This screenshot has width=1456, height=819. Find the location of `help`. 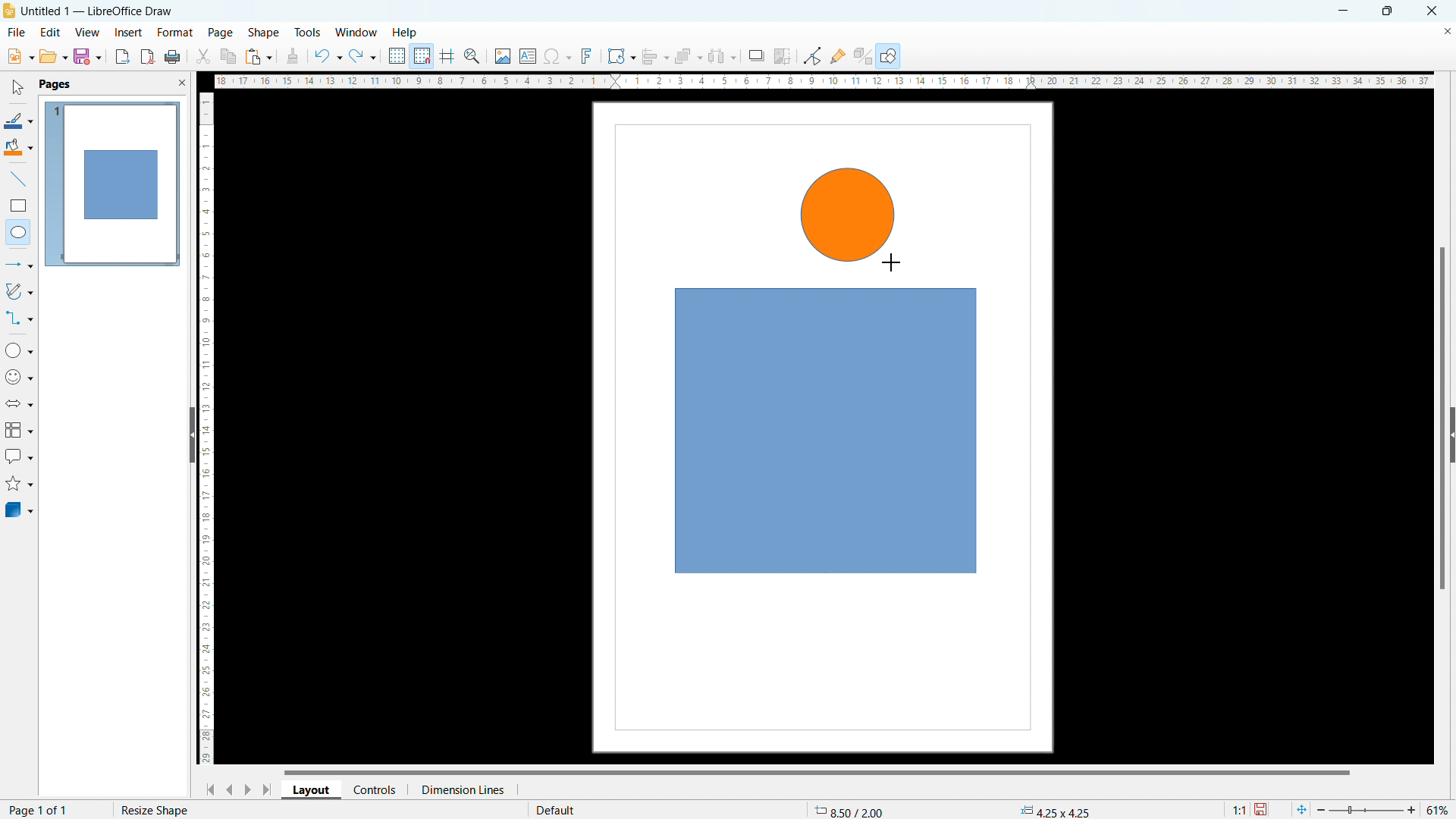

help is located at coordinates (406, 33).